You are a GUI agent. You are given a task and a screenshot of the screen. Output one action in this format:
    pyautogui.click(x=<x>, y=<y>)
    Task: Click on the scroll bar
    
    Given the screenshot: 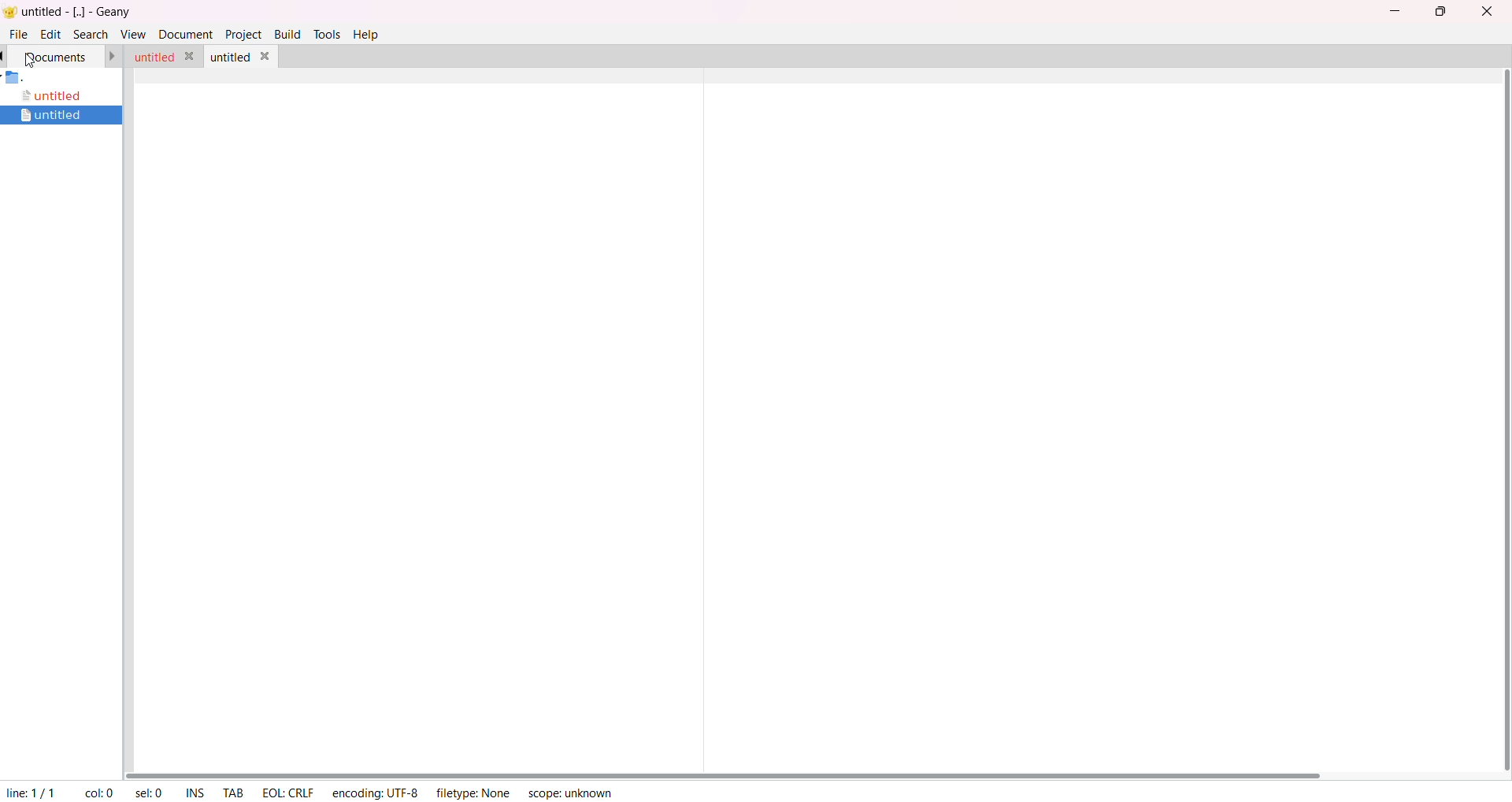 What is the action you would take?
    pyautogui.click(x=1499, y=418)
    